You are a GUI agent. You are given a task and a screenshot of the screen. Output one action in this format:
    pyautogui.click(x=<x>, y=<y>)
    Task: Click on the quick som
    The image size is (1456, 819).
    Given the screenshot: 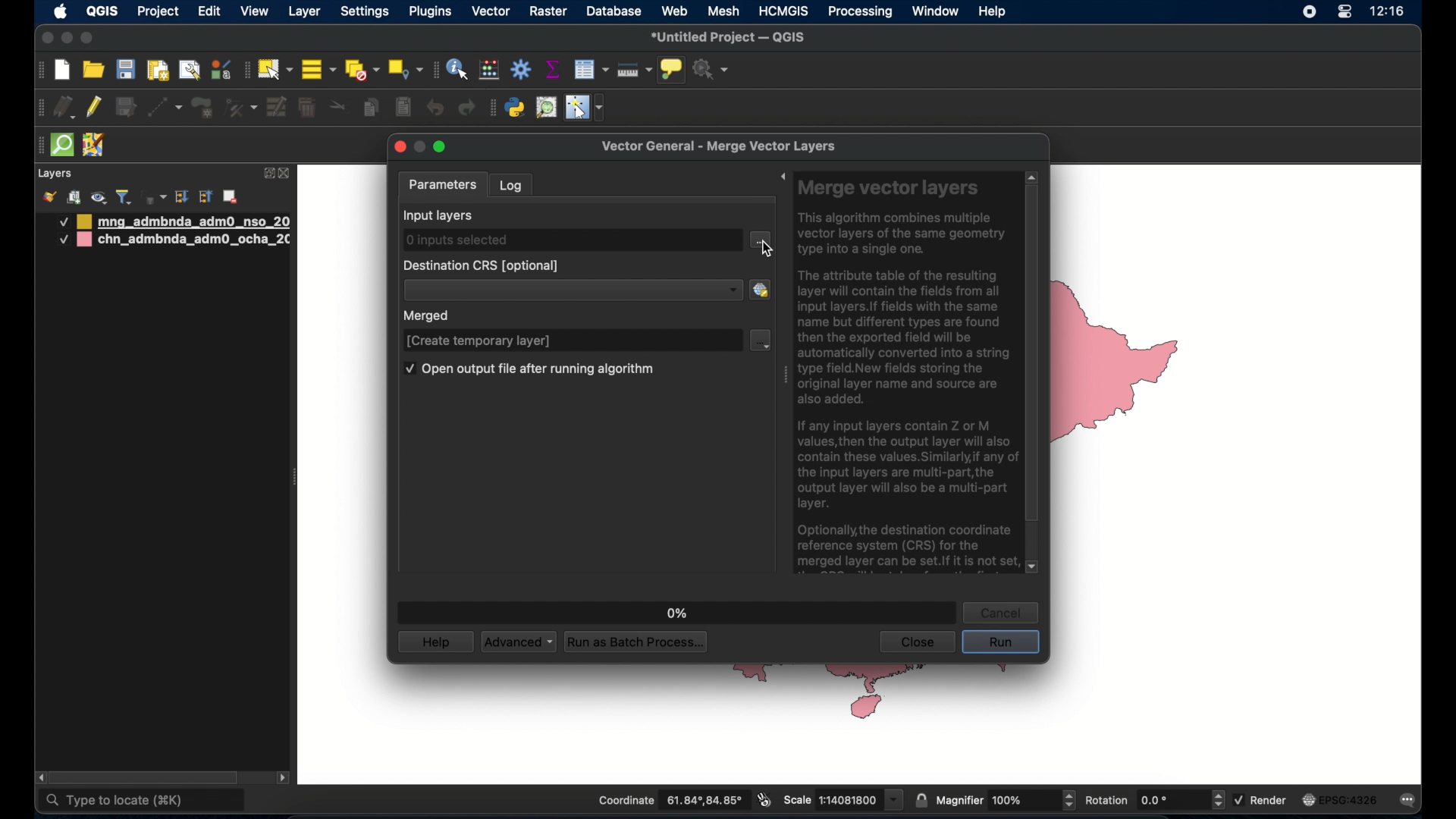 What is the action you would take?
    pyautogui.click(x=61, y=146)
    